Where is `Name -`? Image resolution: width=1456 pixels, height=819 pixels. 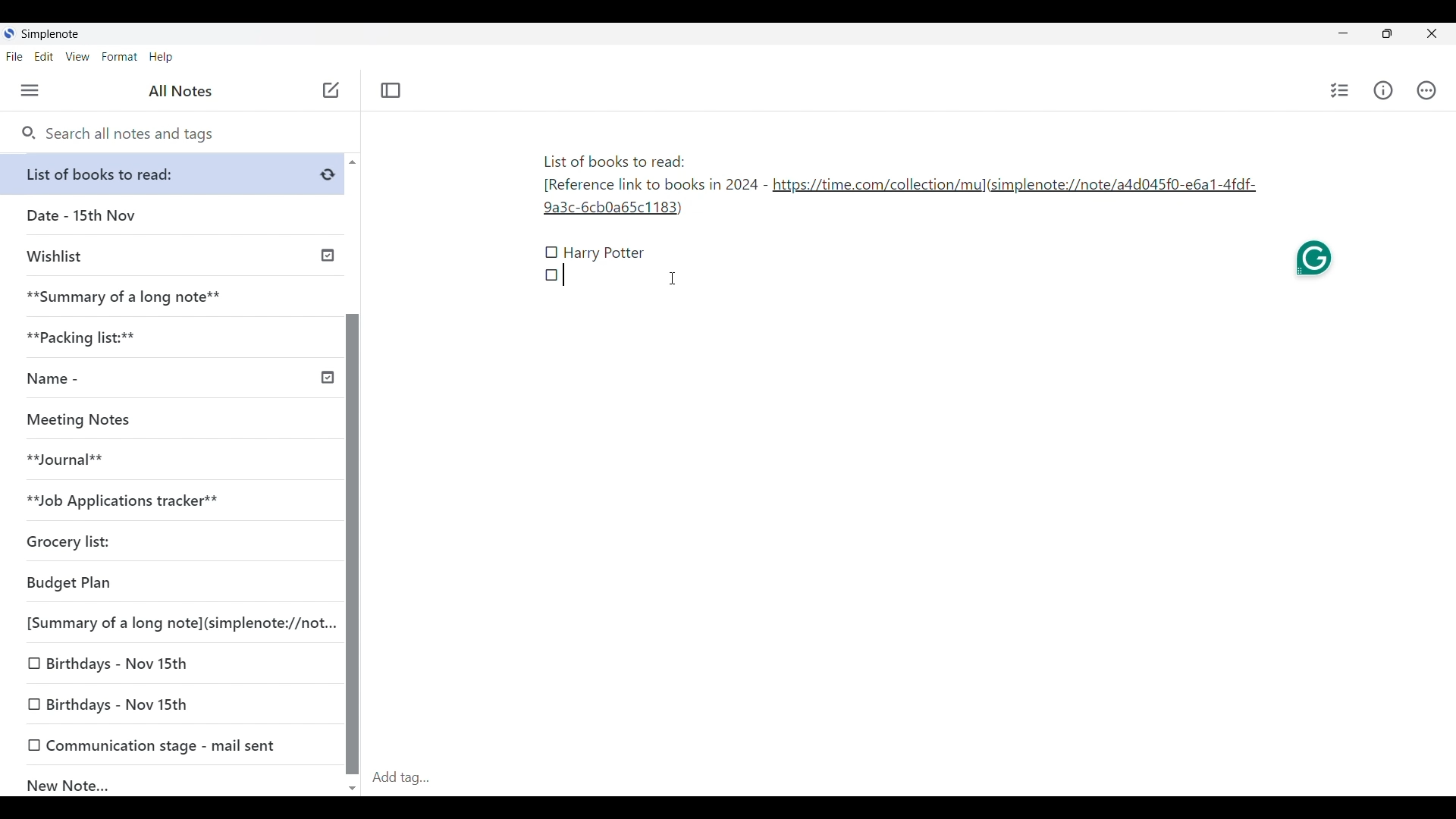 Name - is located at coordinates (177, 380).